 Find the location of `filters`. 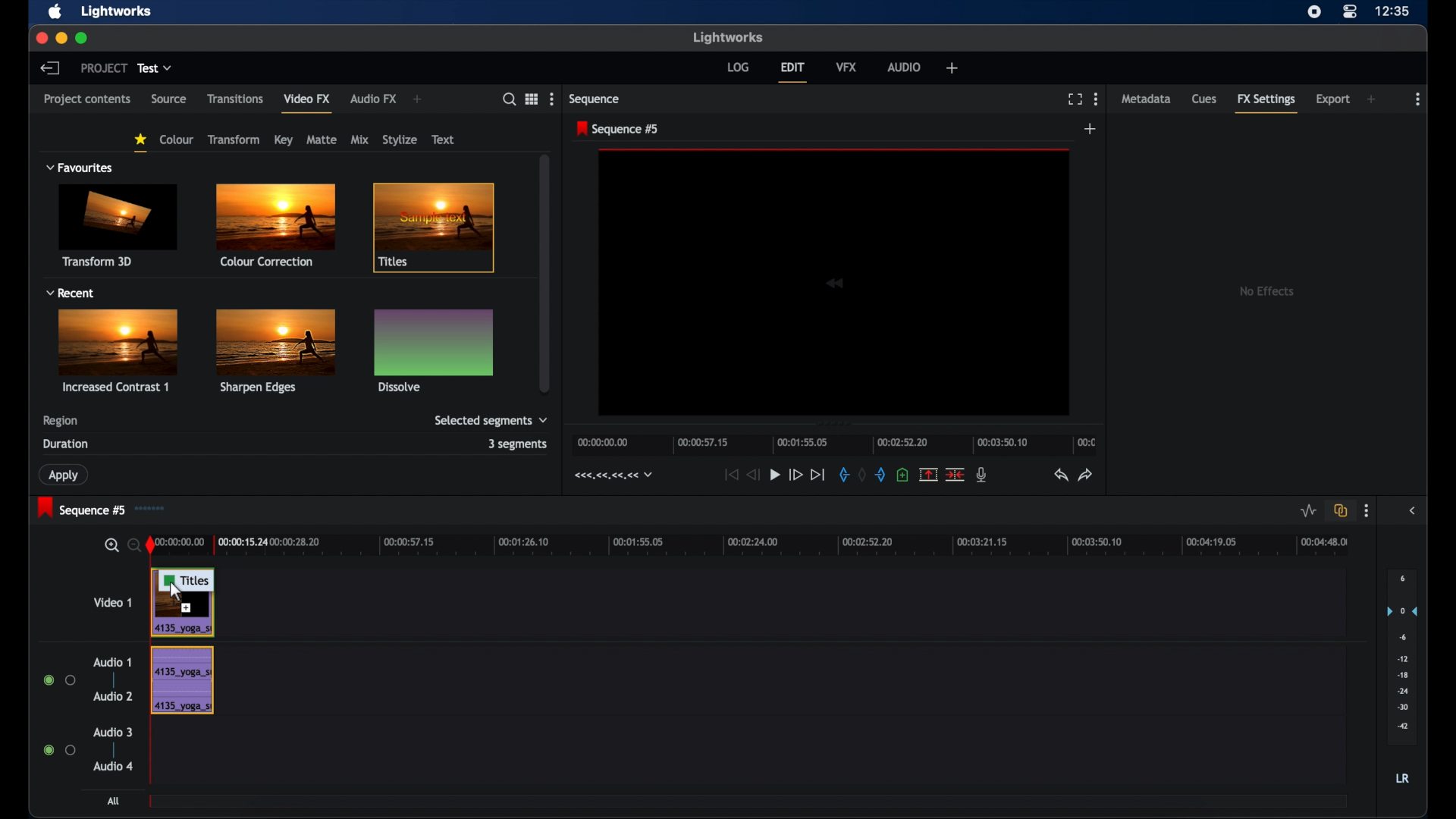

filters is located at coordinates (63, 133).